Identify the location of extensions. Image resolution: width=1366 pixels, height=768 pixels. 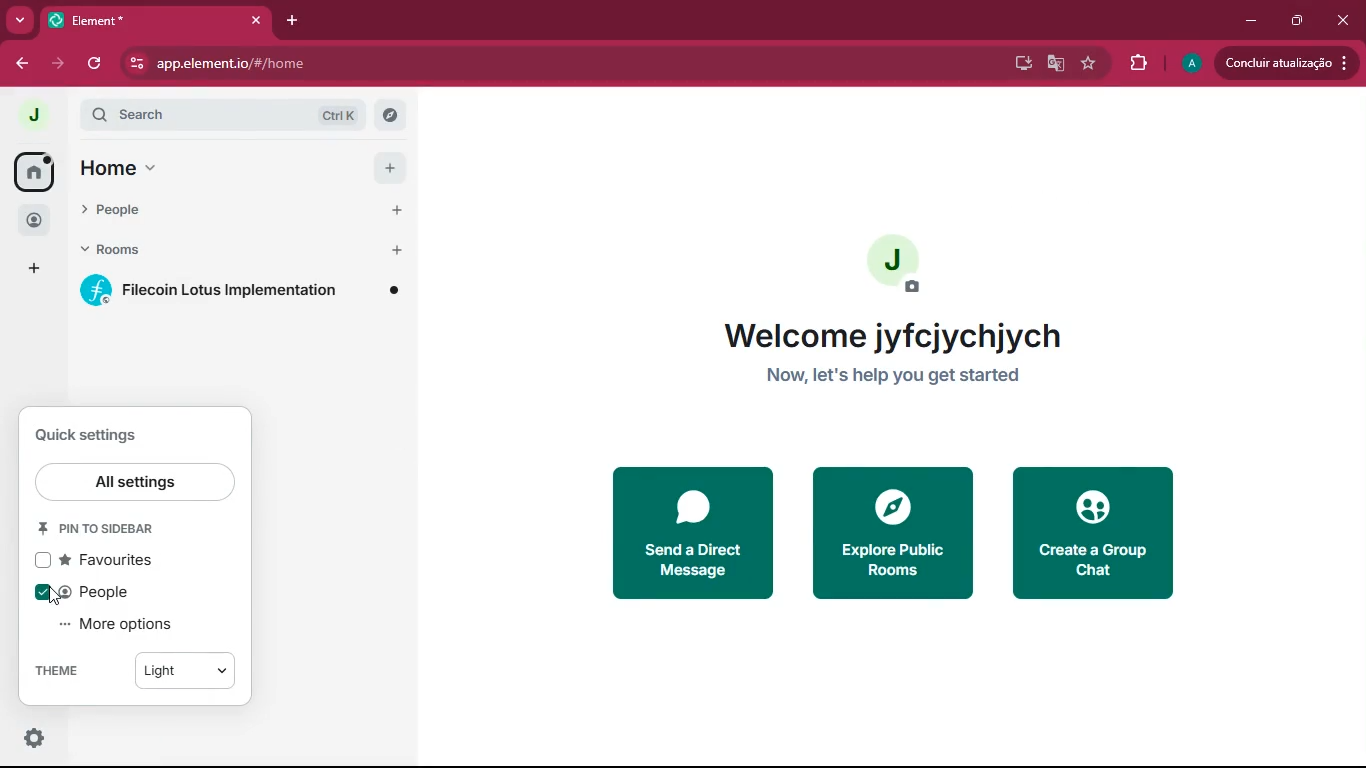
(1135, 64).